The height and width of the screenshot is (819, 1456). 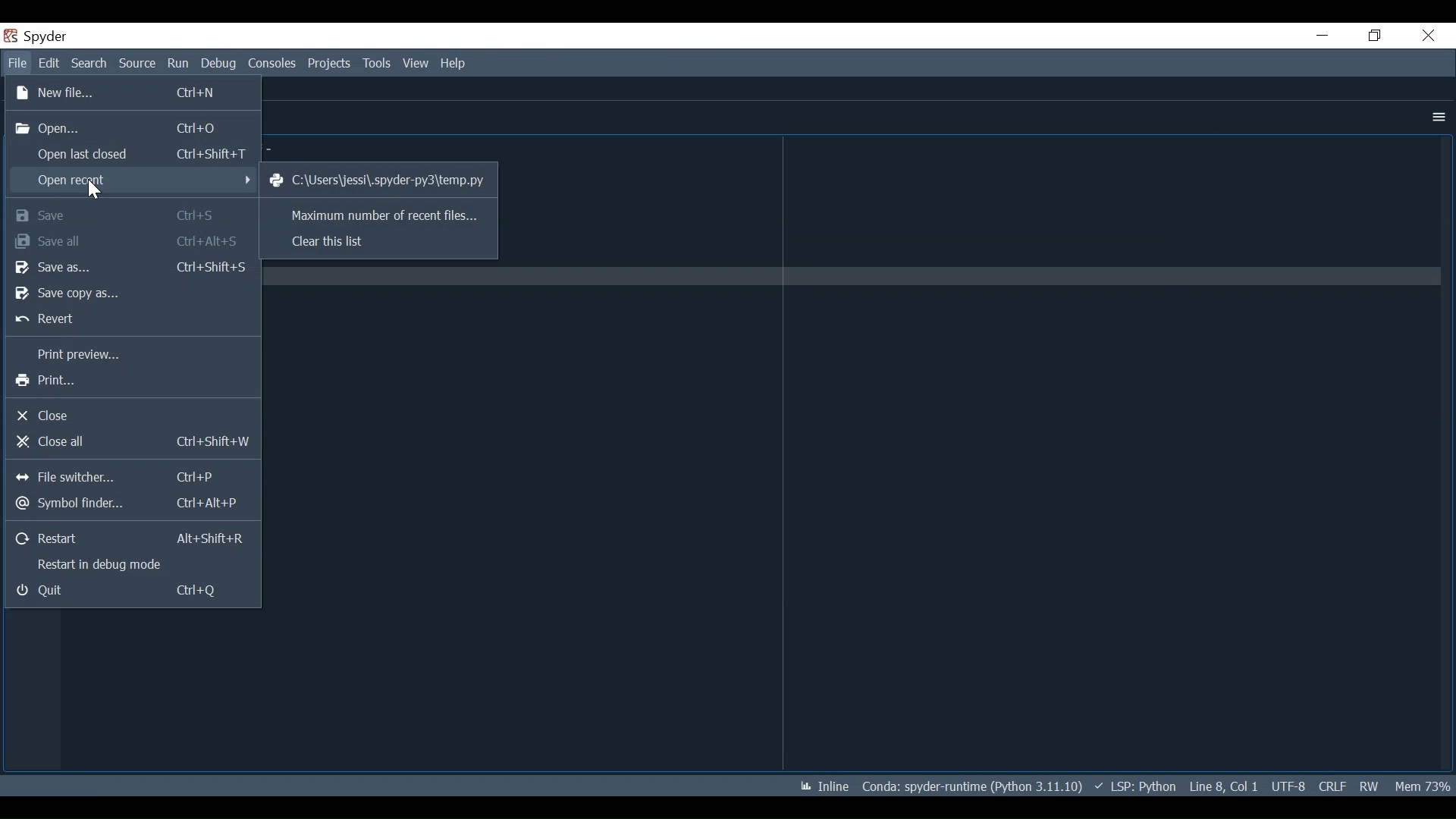 What do you see at coordinates (133, 215) in the screenshot?
I see `Save` at bounding box center [133, 215].